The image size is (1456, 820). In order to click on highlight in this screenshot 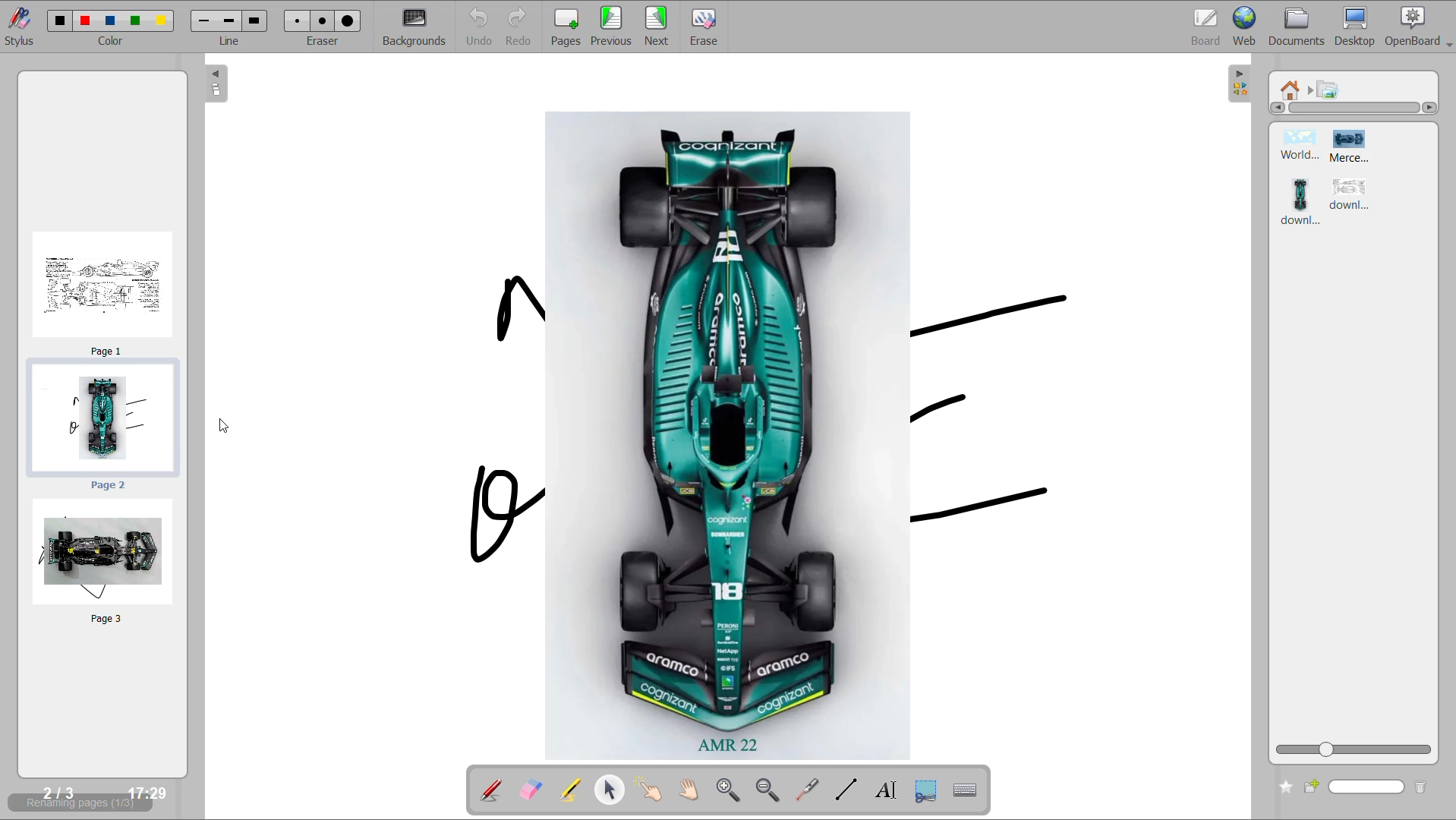, I will do `click(569, 788)`.